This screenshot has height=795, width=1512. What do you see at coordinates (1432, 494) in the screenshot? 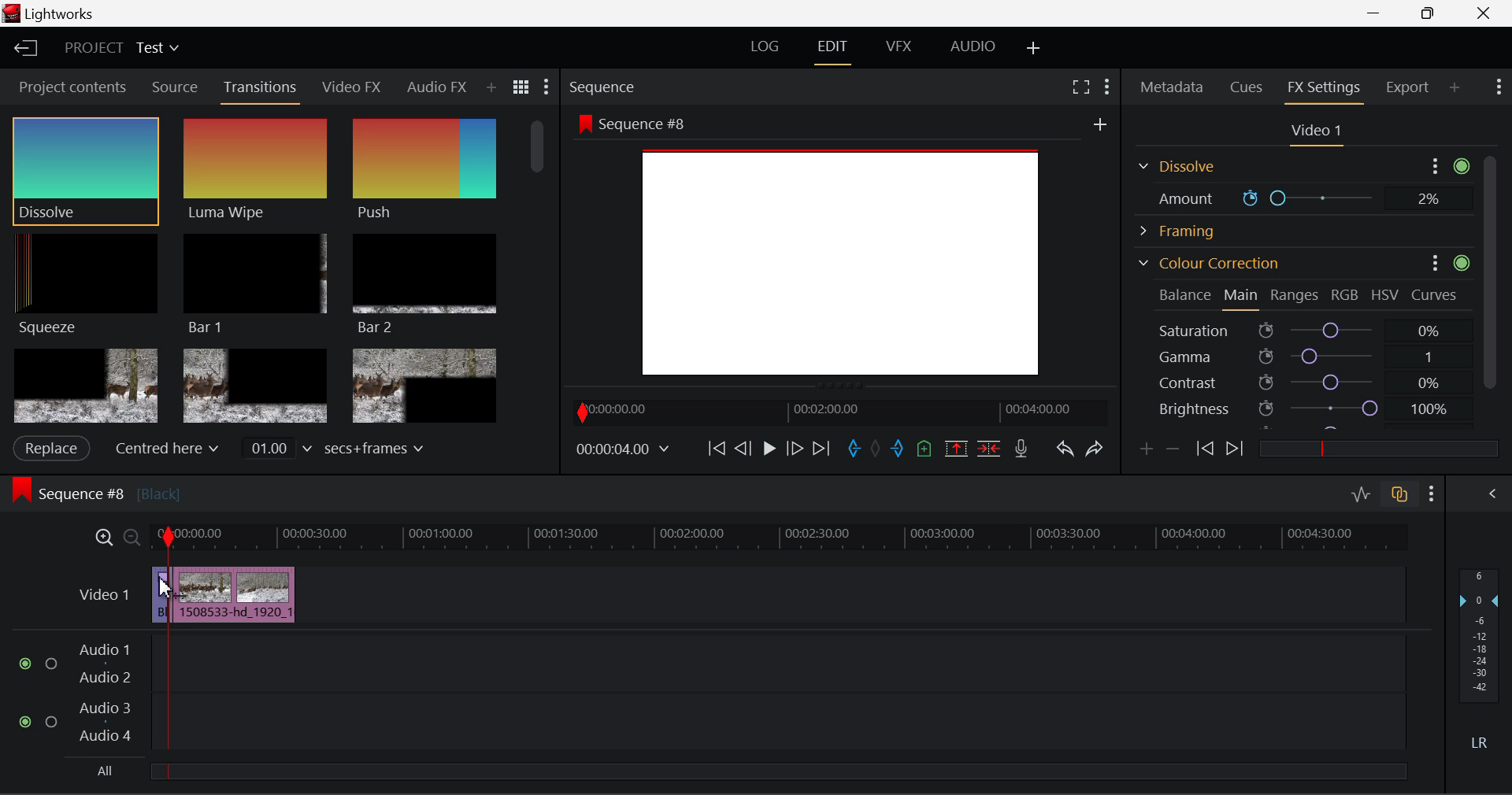
I see `Show Settings` at bounding box center [1432, 494].